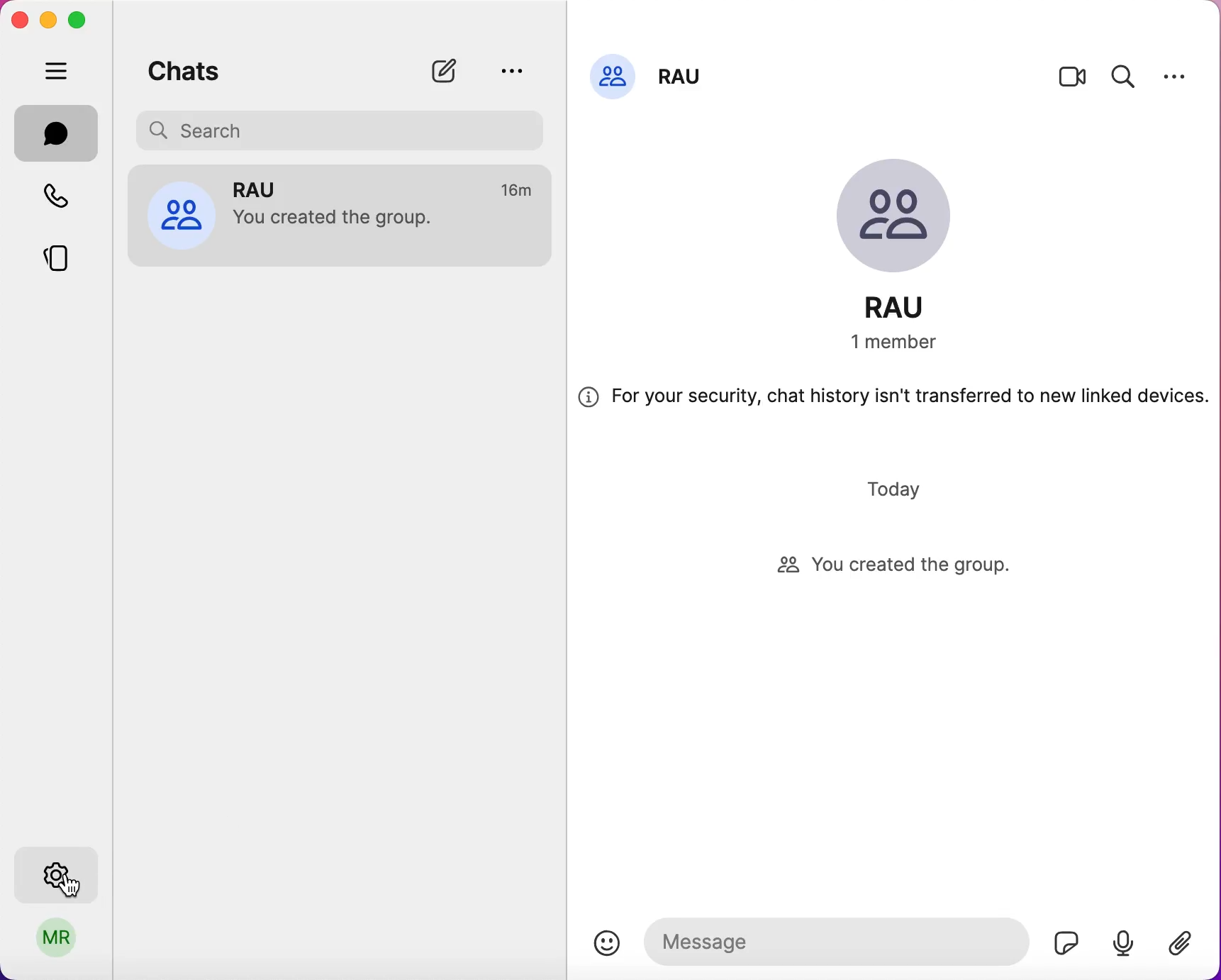 Image resolution: width=1221 pixels, height=980 pixels. What do you see at coordinates (60, 871) in the screenshot?
I see `settings` at bounding box center [60, 871].